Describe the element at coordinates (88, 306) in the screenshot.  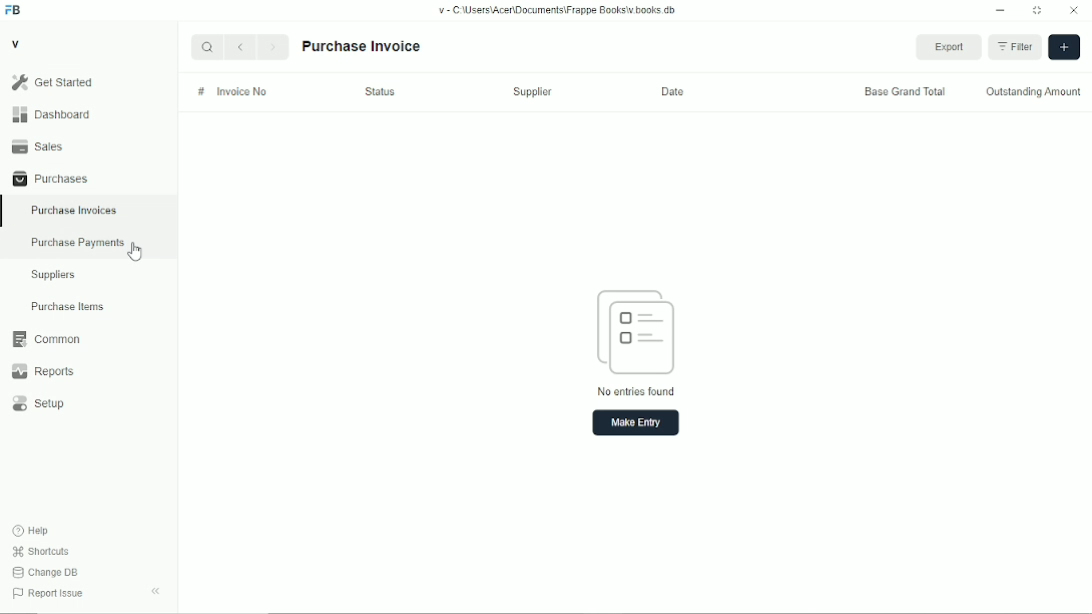
I see `Purchase Items` at that location.